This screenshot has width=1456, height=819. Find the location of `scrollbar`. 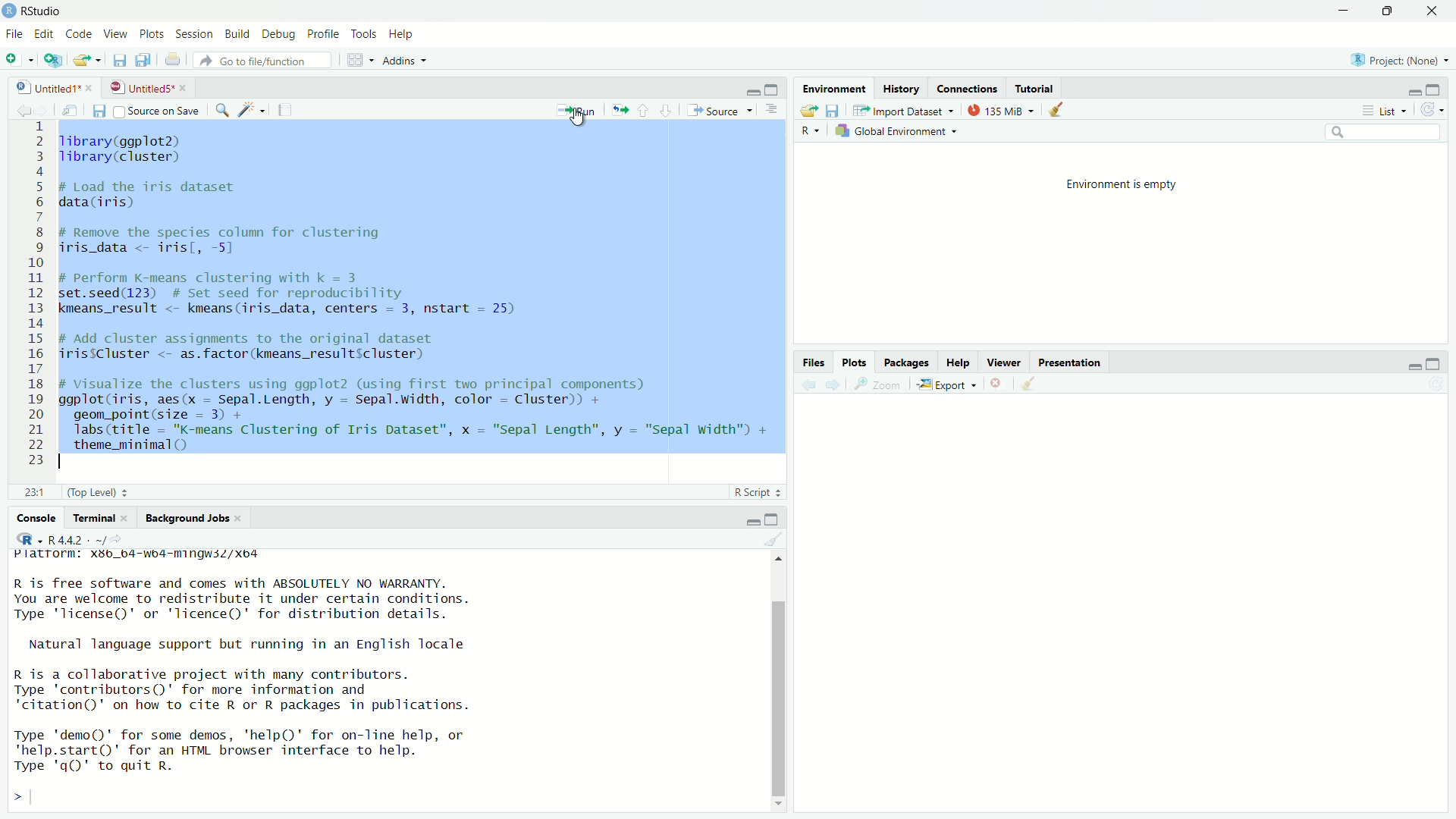

scrollbar is located at coordinates (780, 695).